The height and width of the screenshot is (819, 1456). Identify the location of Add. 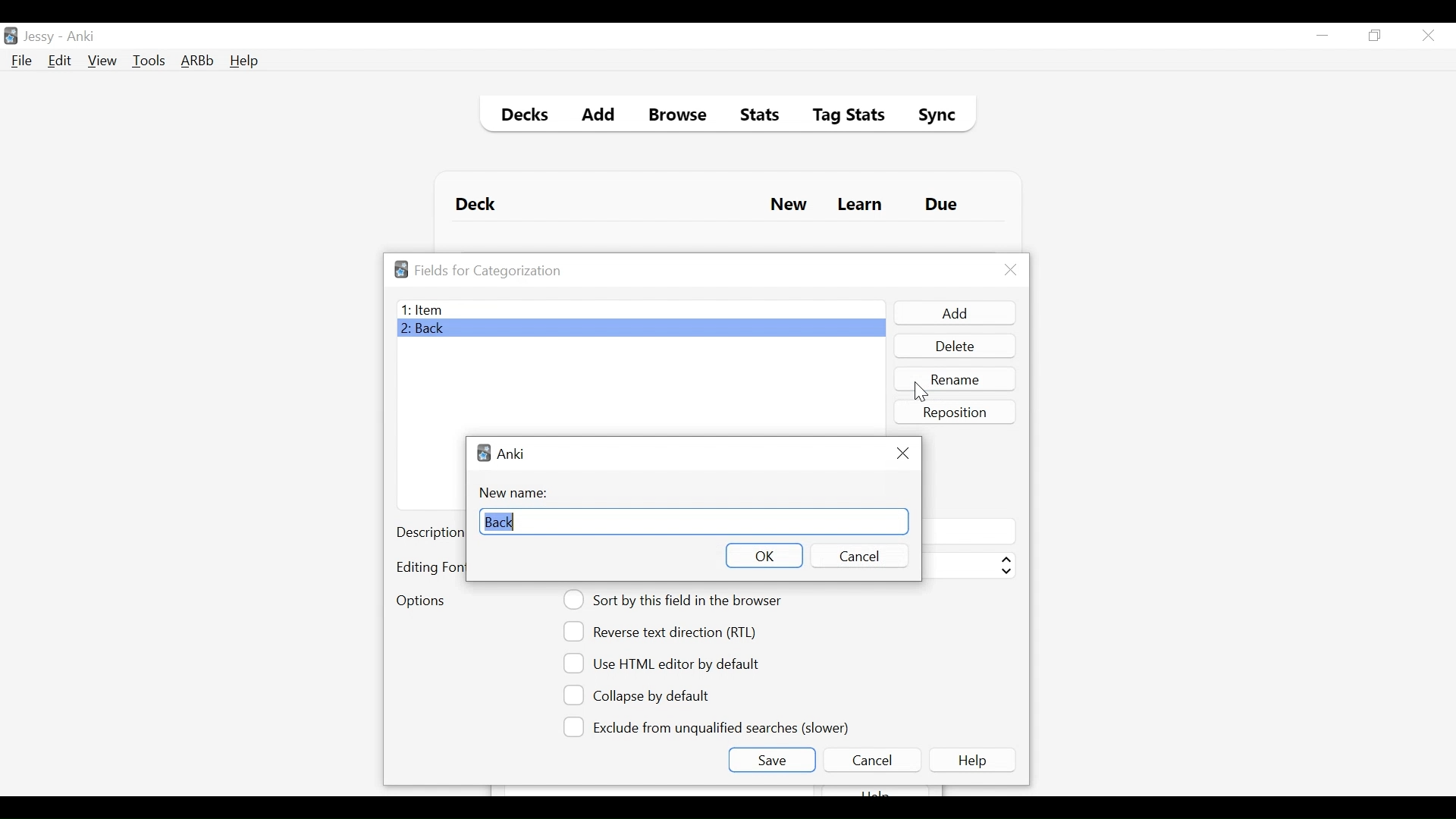
(953, 313).